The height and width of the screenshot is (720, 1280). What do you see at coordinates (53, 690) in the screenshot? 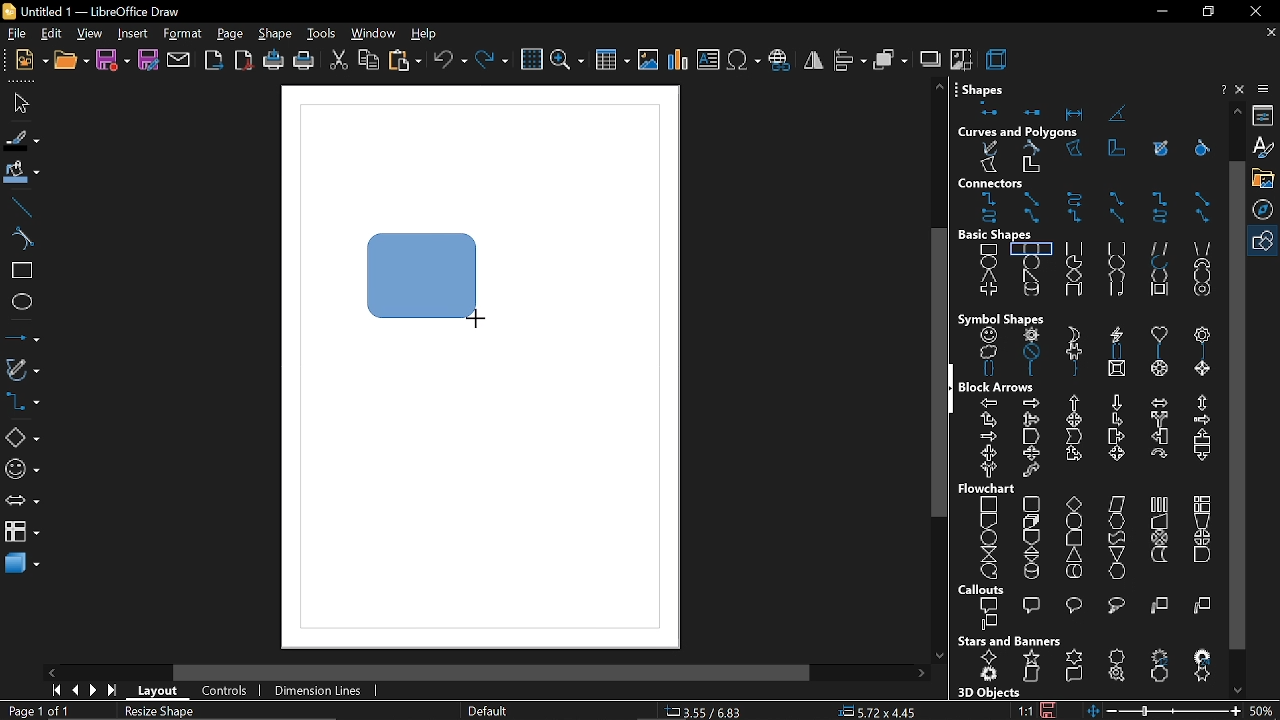
I see `go to first page` at bounding box center [53, 690].